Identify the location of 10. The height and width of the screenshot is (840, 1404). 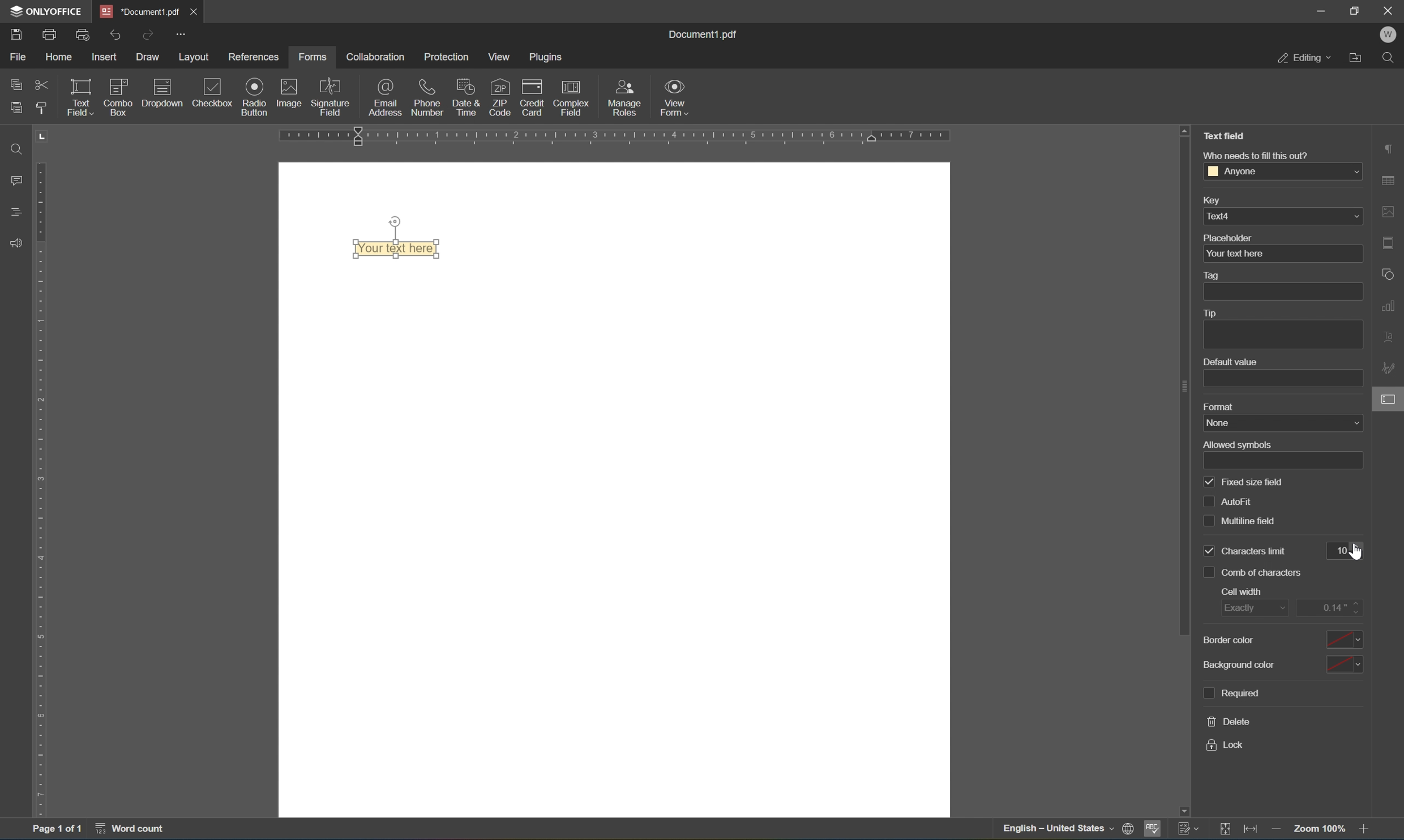
(1338, 546).